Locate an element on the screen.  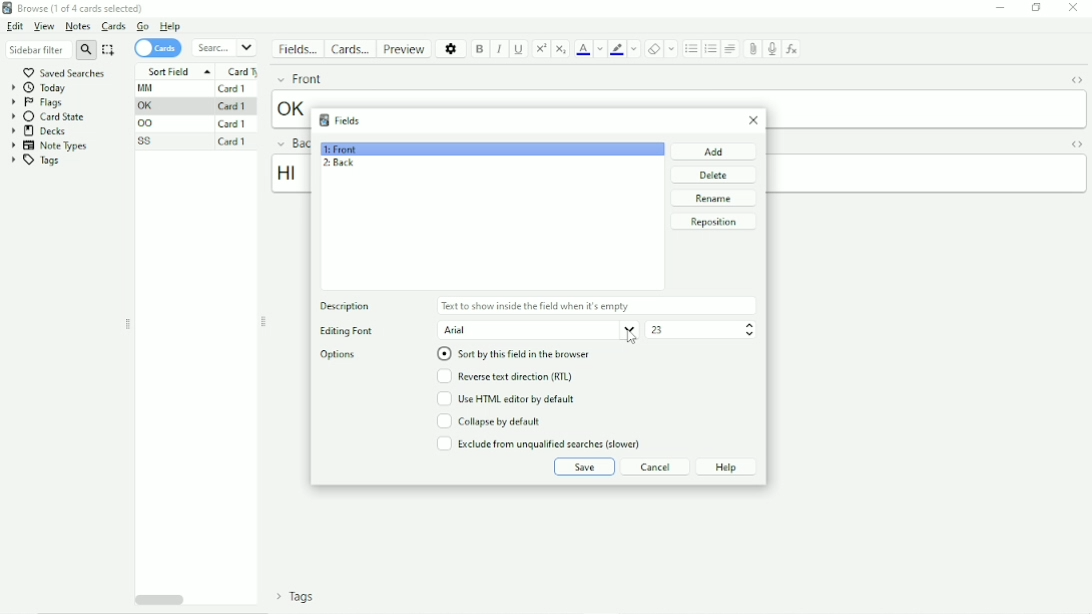
Cards is located at coordinates (352, 49).